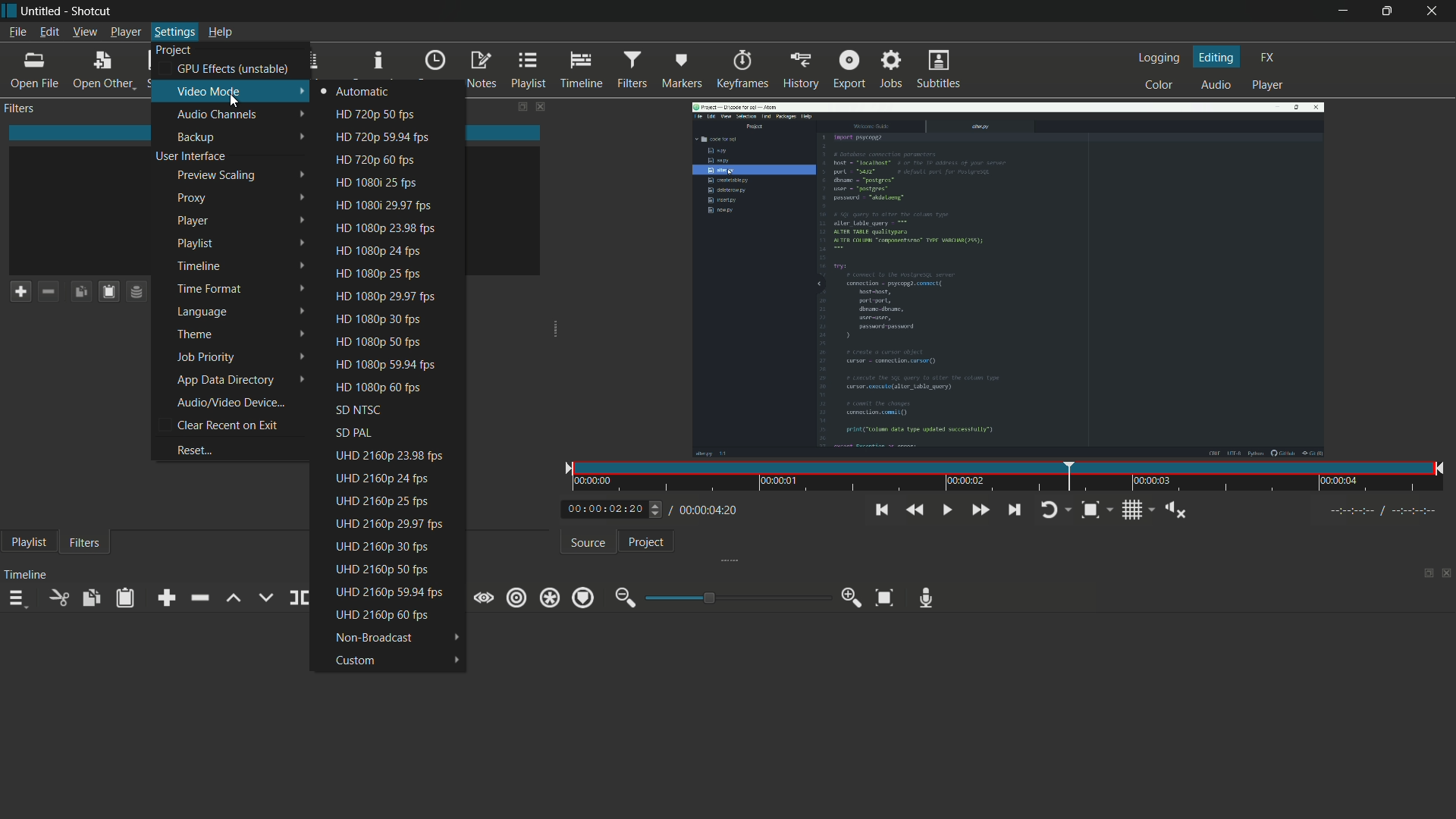 Image resolution: width=1456 pixels, height=819 pixels. I want to click on overwrite, so click(264, 596).